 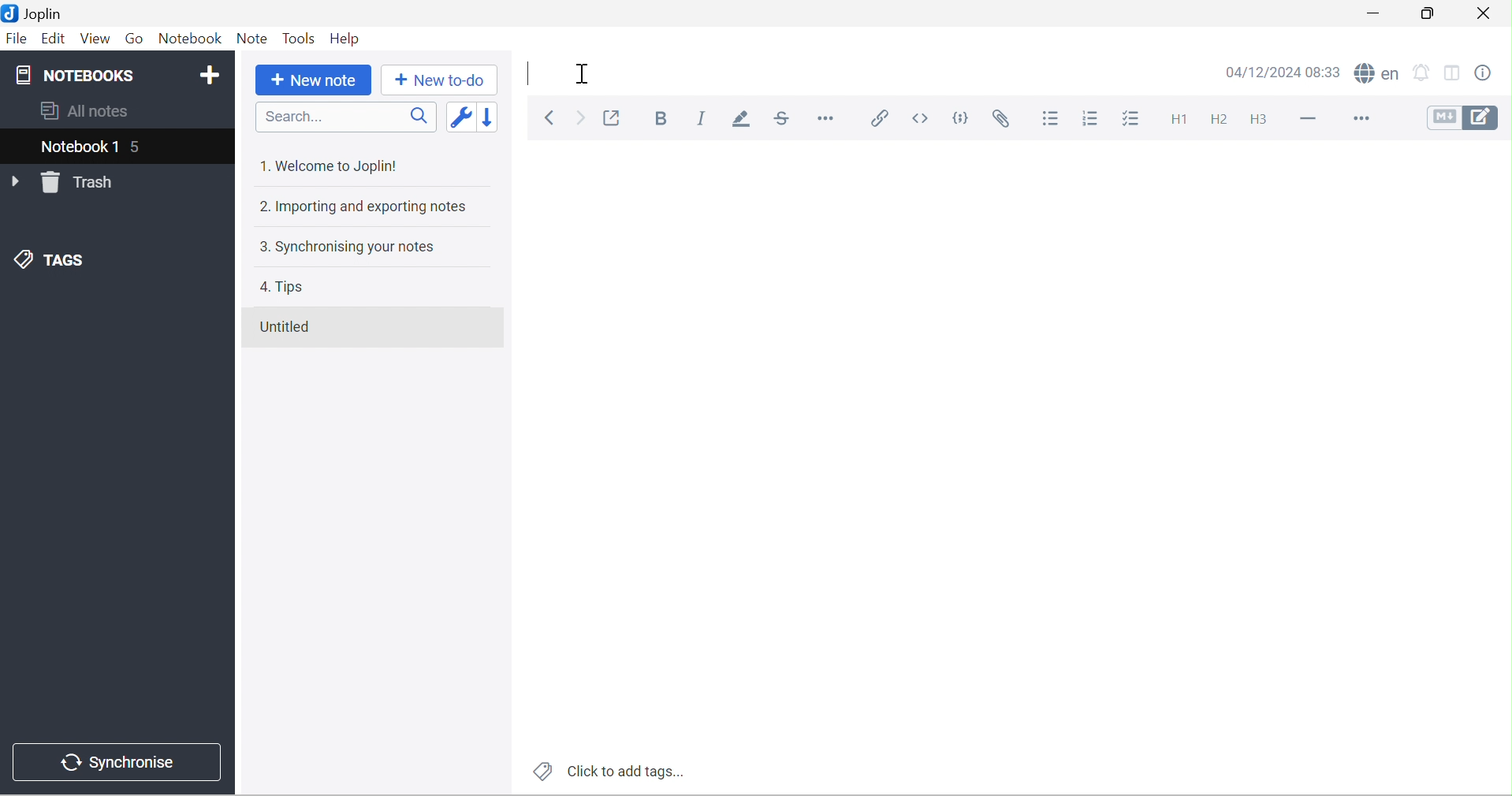 What do you see at coordinates (316, 80) in the screenshot?
I see `New note` at bounding box center [316, 80].